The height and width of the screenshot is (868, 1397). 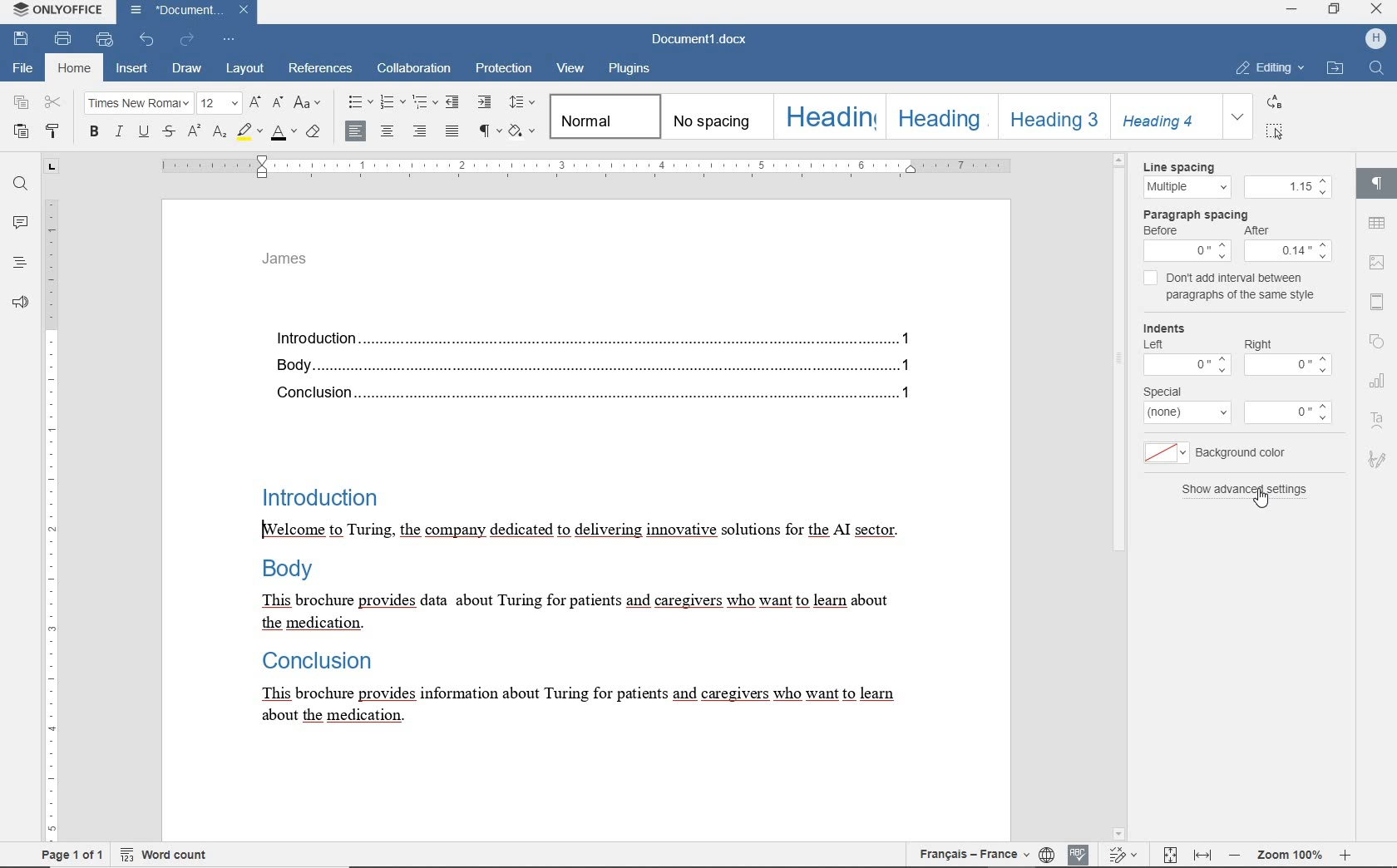 What do you see at coordinates (1192, 166) in the screenshot?
I see `Line spacing` at bounding box center [1192, 166].